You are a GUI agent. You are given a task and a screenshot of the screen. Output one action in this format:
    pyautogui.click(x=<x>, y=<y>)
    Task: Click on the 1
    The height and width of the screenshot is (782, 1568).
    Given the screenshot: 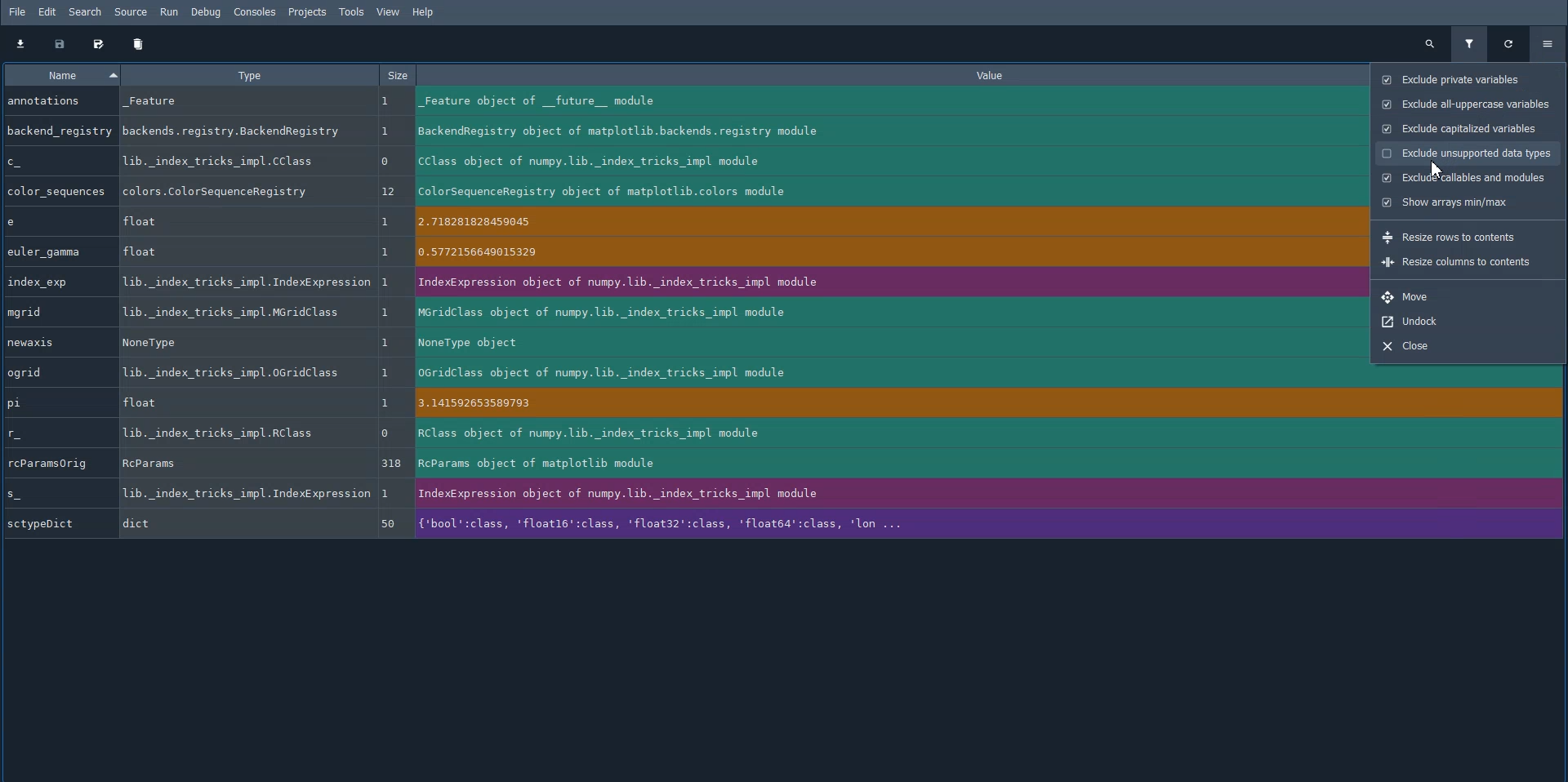 What is the action you would take?
    pyautogui.click(x=387, y=403)
    